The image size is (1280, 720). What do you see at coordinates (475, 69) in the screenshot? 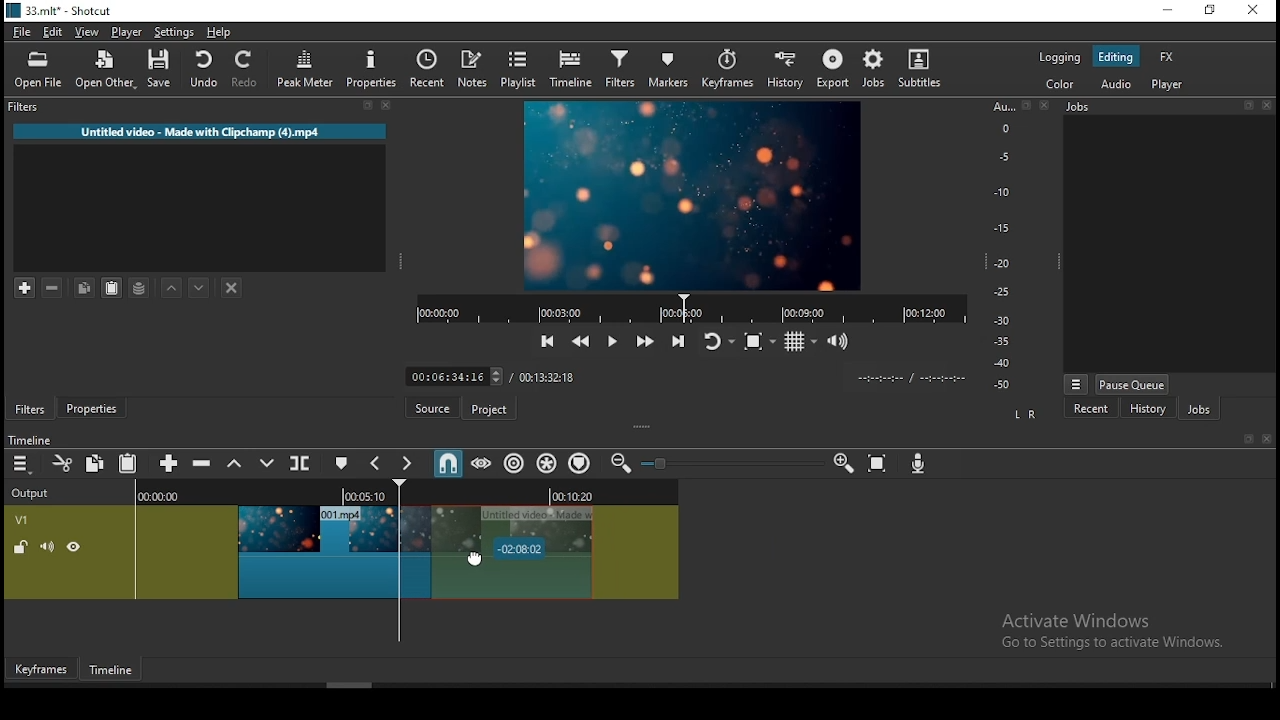
I see `notes` at bounding box center [475, 69].